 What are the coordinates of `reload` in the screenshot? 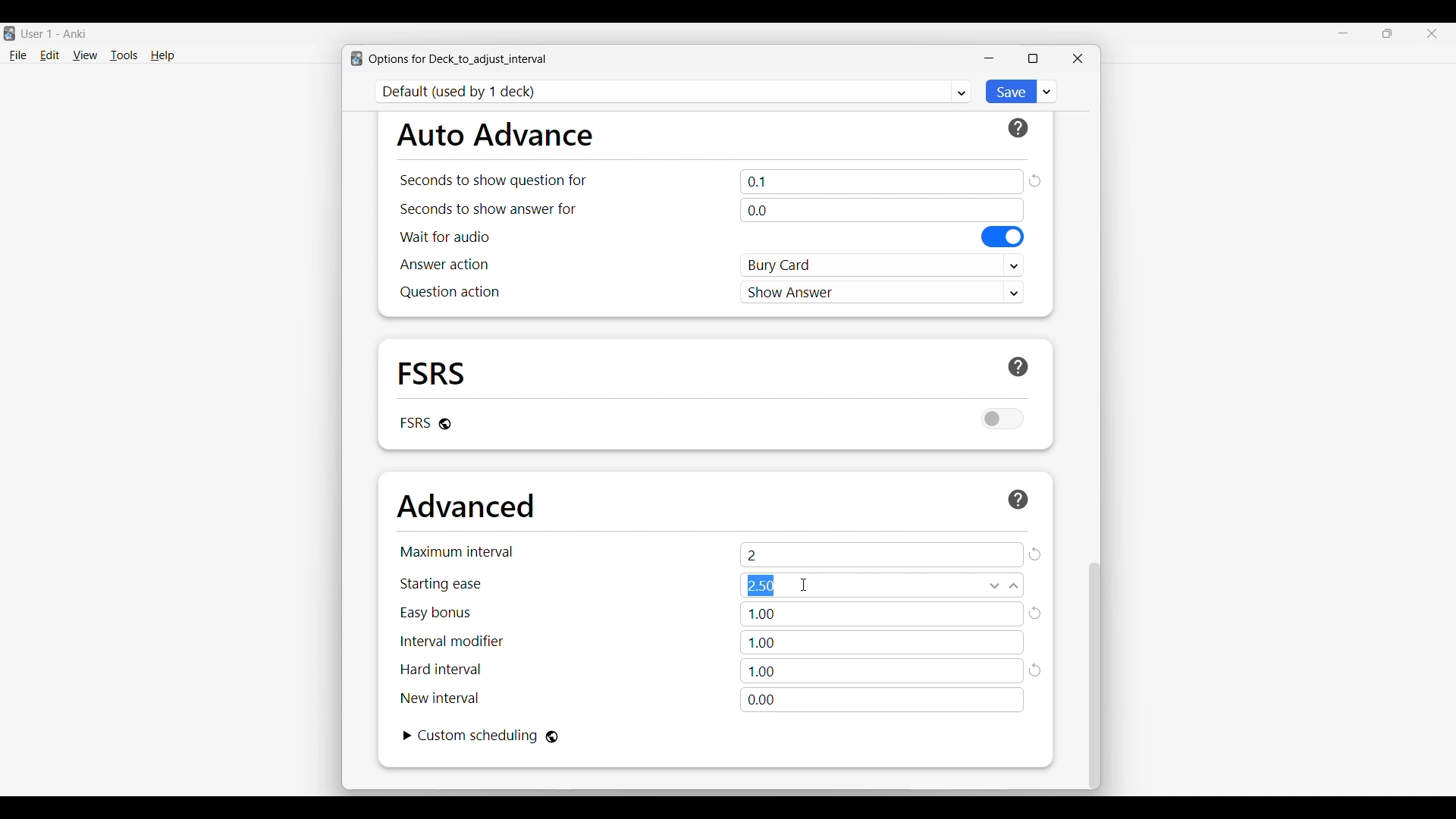 It's located at (1037, 672).